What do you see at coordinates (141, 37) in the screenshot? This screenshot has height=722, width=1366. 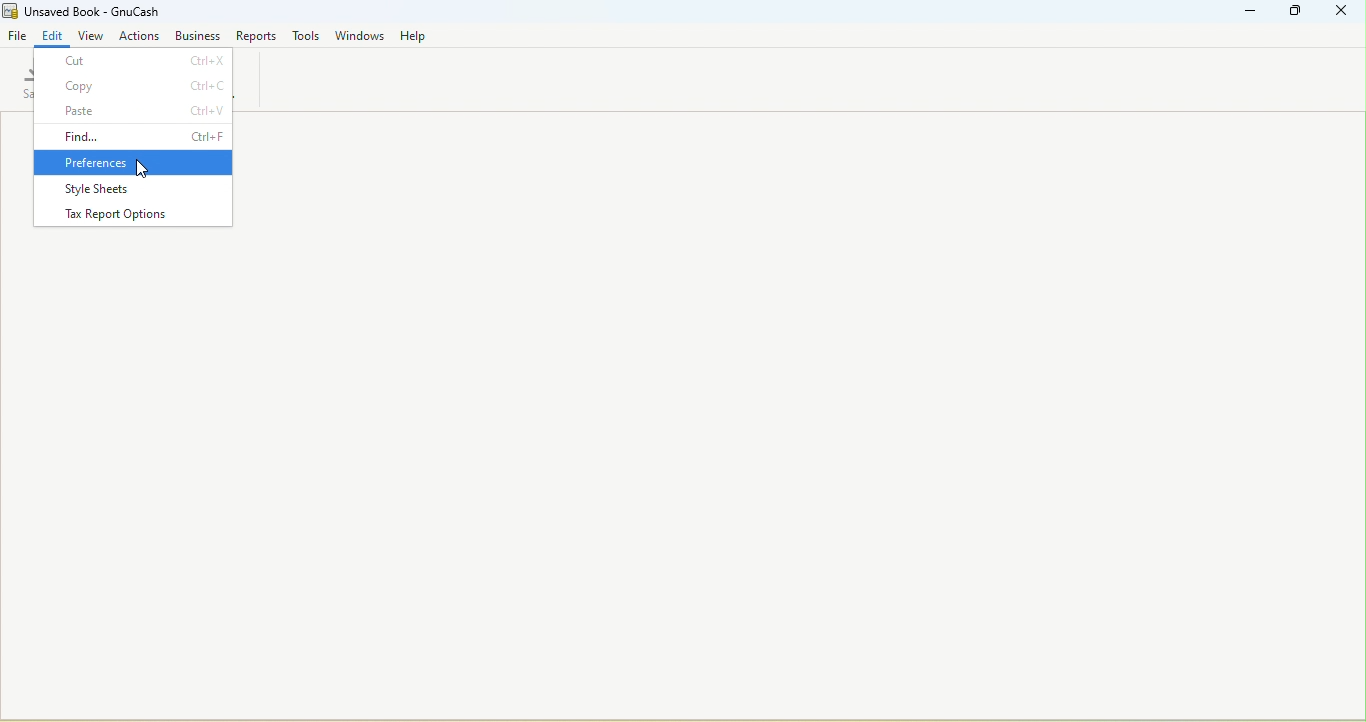 I see `Actions` at bounding box center [141, 37].